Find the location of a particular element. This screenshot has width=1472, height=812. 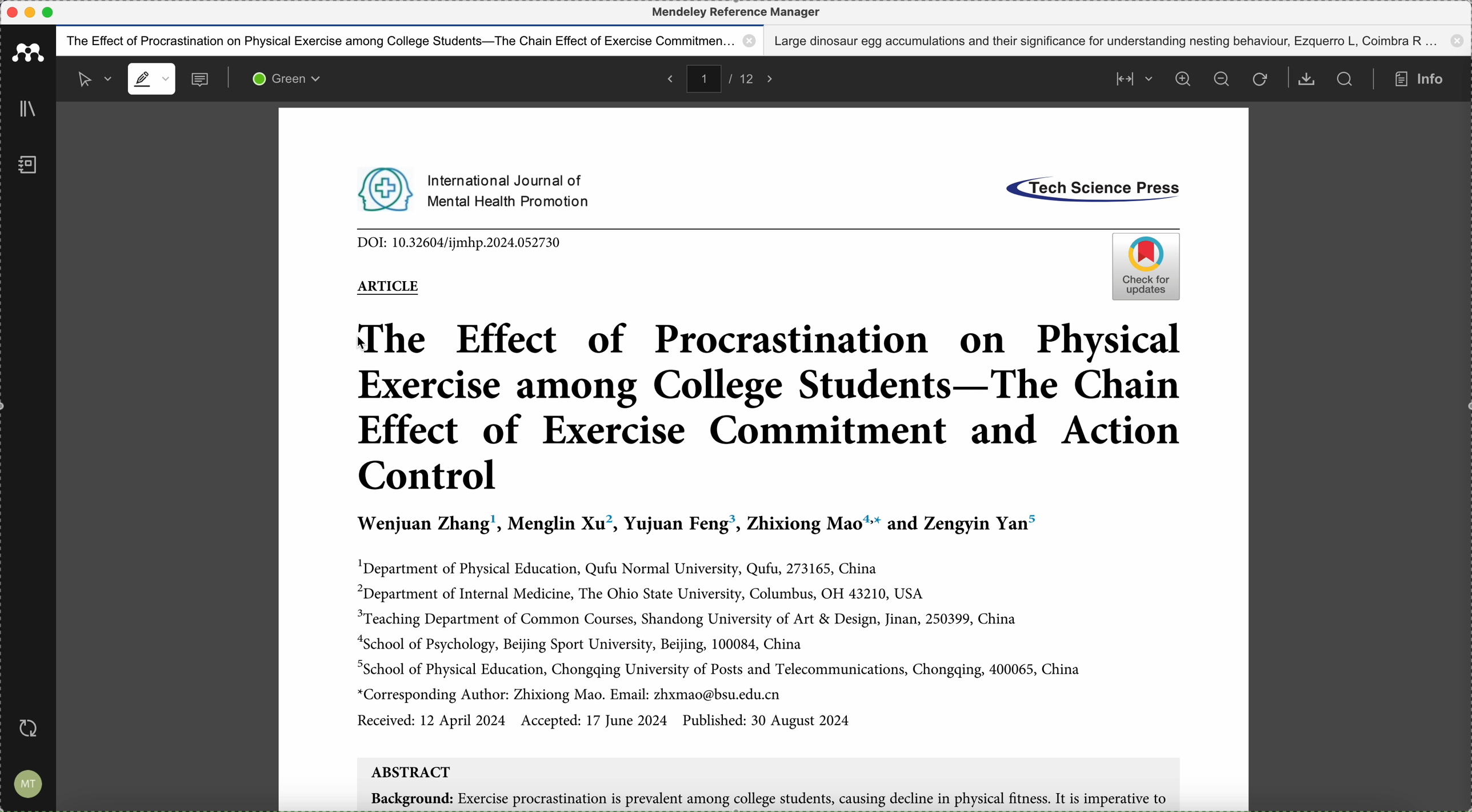

search is located at coordinates (1345, 79).